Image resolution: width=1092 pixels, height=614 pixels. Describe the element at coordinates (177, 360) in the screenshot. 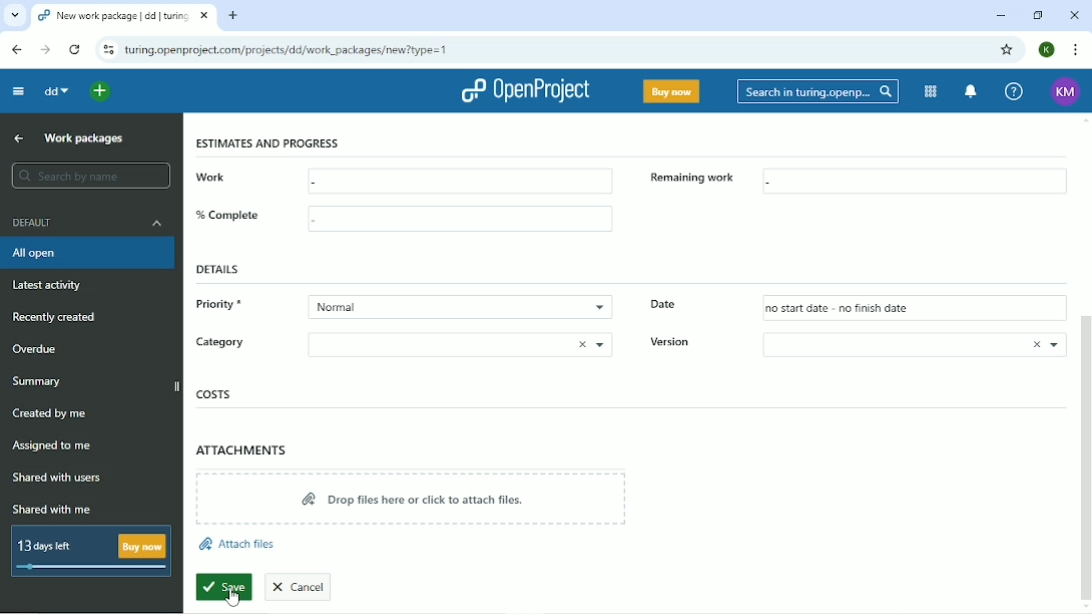

I see `Vertical scrollbar` at that location.